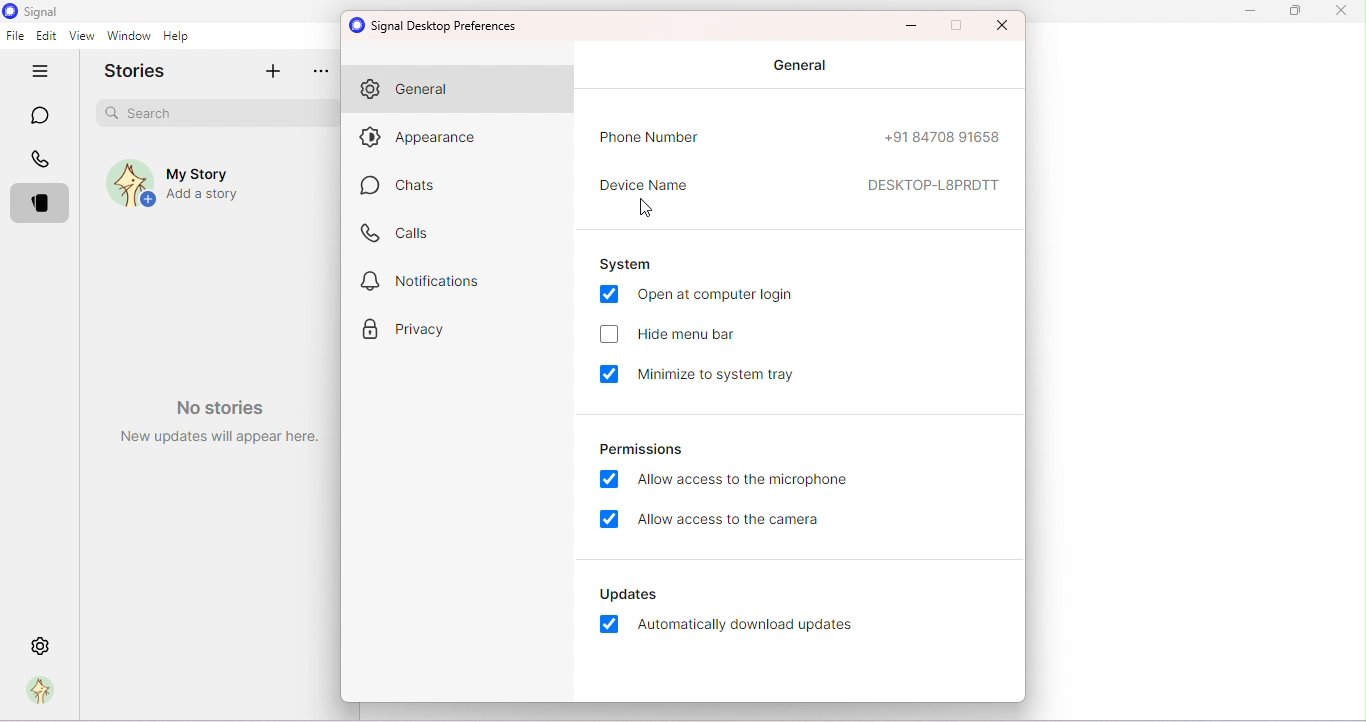  What do you see at coordinates (405, 335) in the screenshot?
I see `Privacy` at bounding box center [405, 335].